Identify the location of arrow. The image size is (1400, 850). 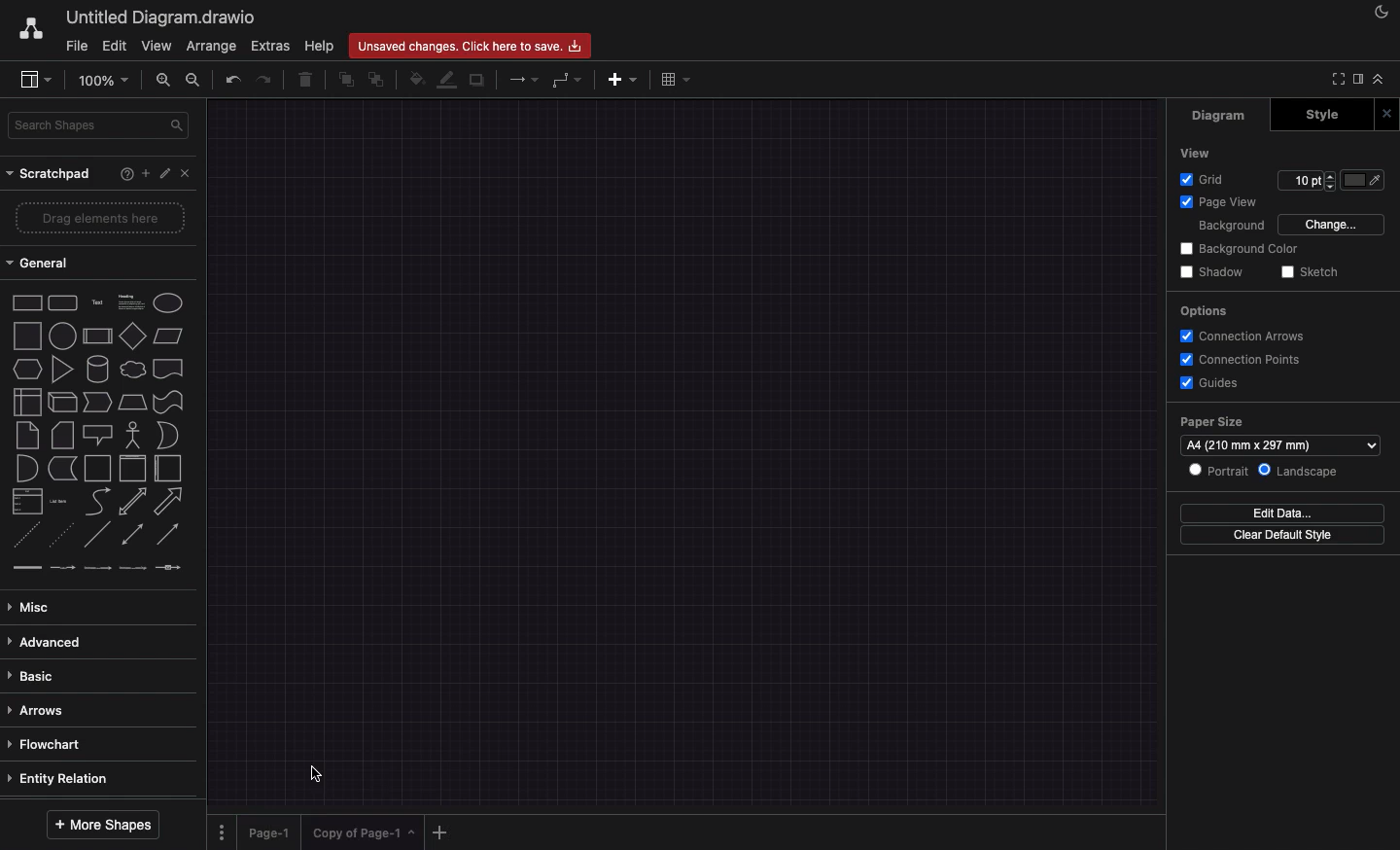
(169, 501).